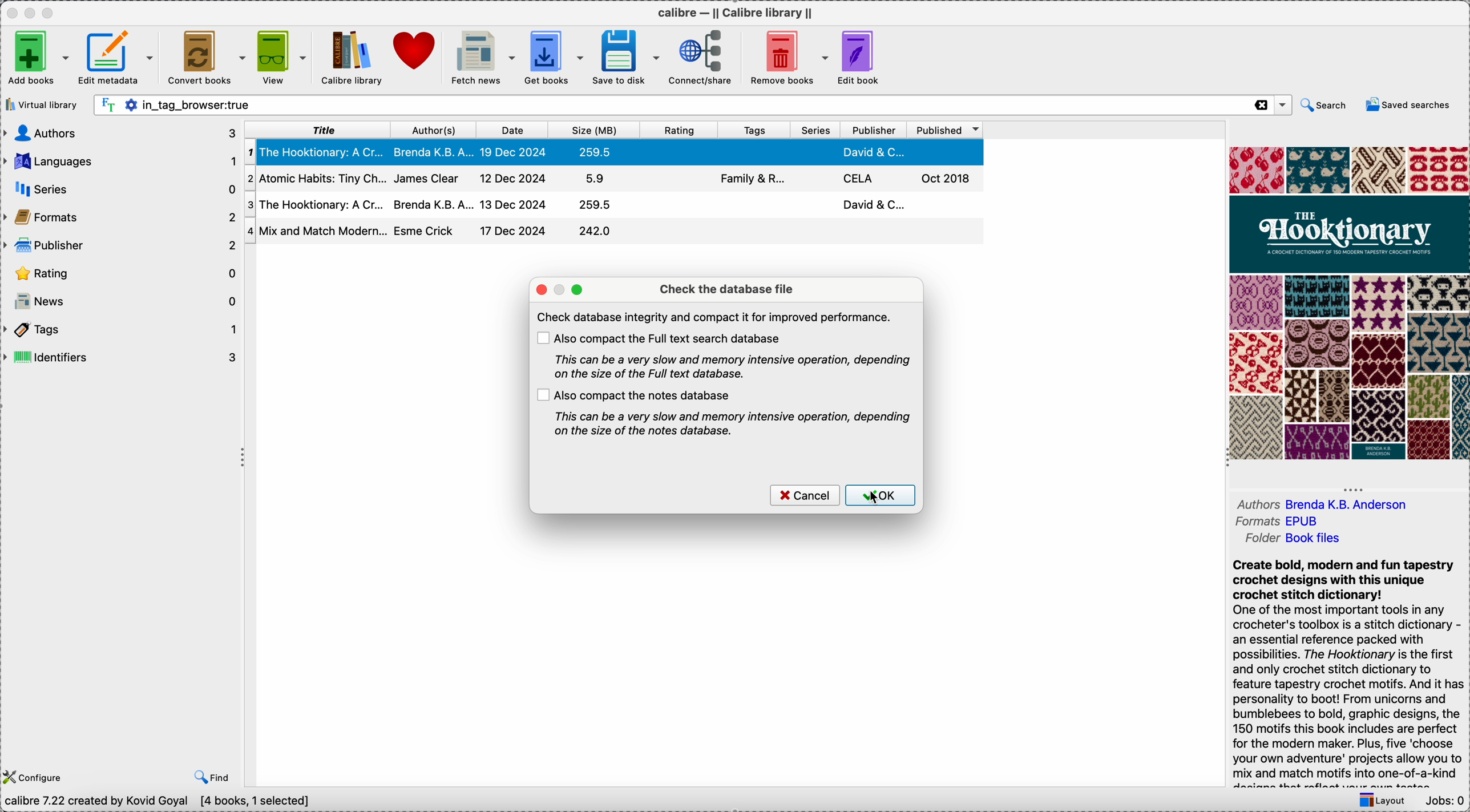 The image size is (1470, 812). Describe the element at coordinates (30, 11) in the screenshot. I see `minimize app` at that location.